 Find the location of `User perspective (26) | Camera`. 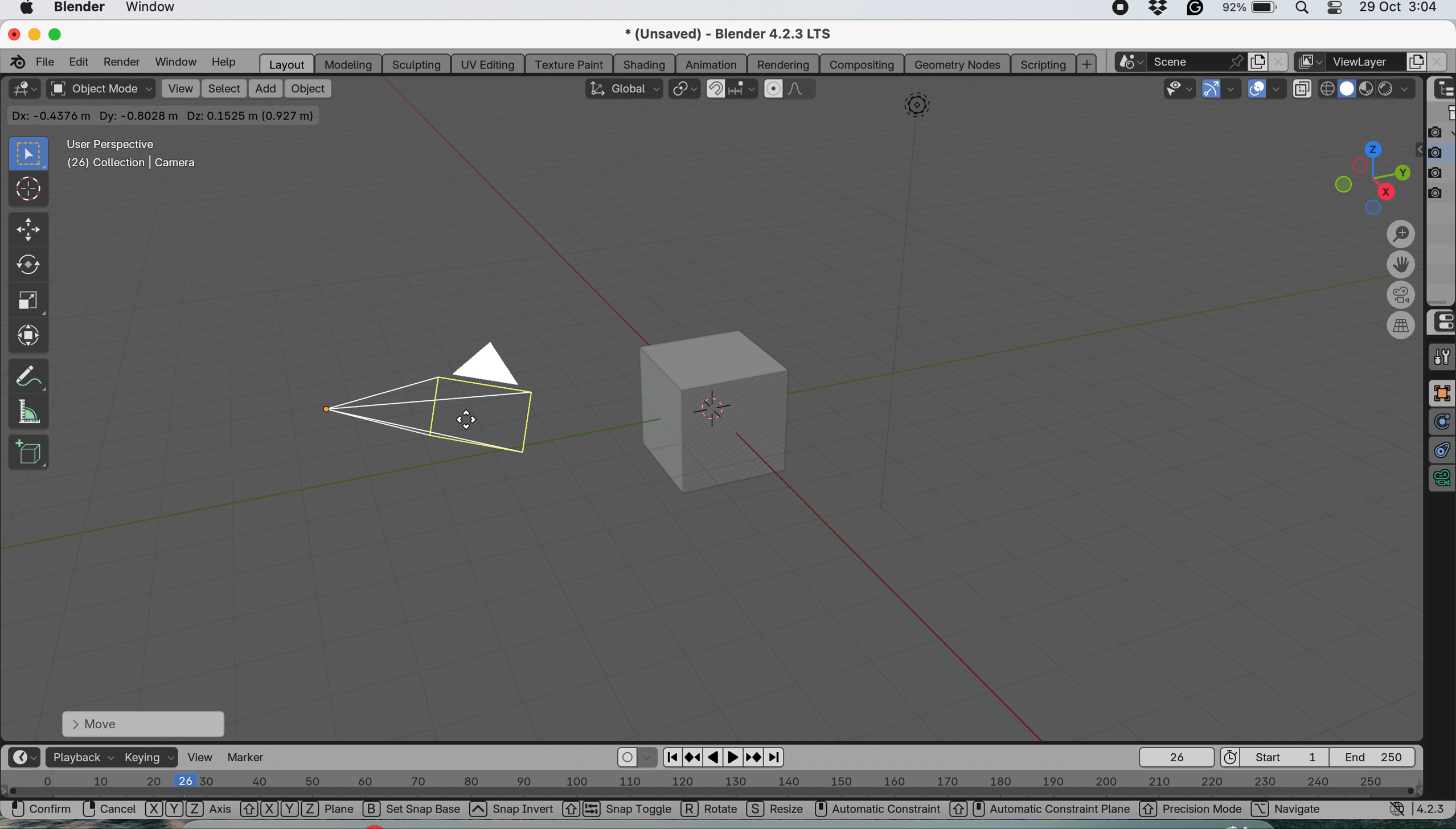

User perspective (26) | Camera is located at coordinates (130, 154).